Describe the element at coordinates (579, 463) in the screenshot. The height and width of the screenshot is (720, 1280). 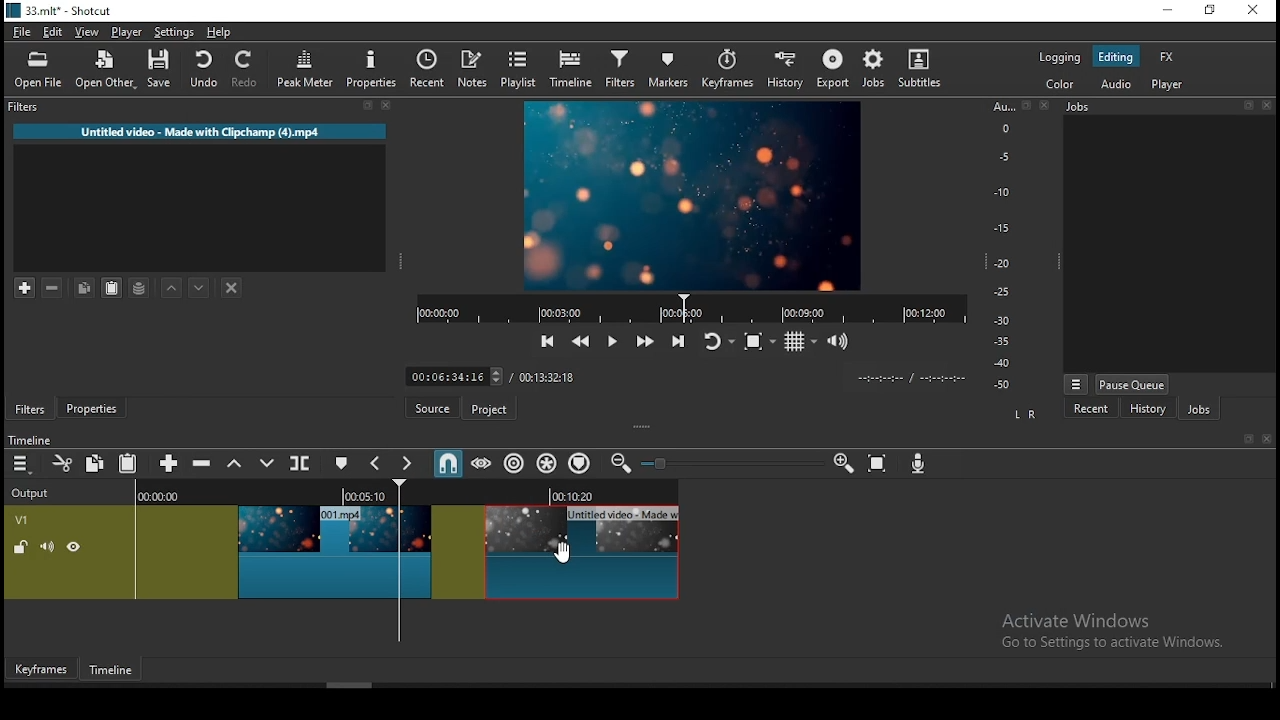
I see `ripple markers` at that location.